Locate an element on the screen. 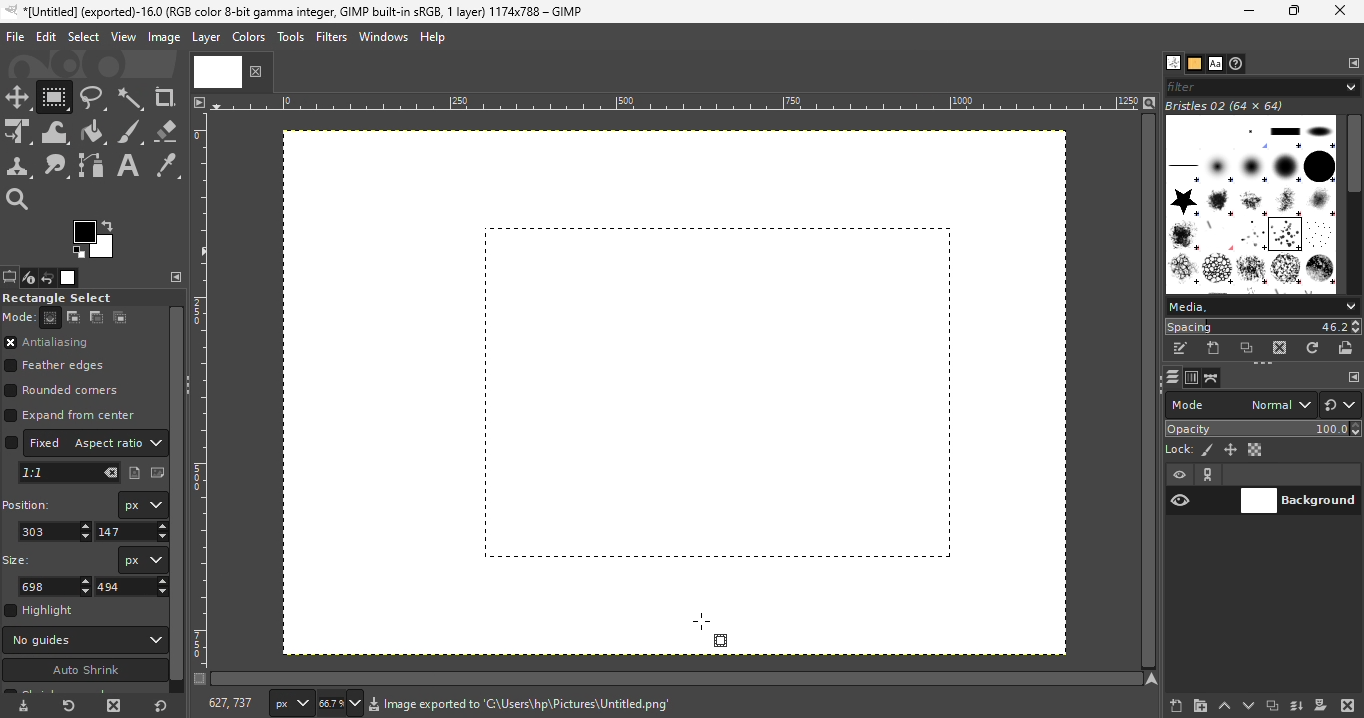  Merge all visible layers with the last used values is located at coordinates (1296, 706).